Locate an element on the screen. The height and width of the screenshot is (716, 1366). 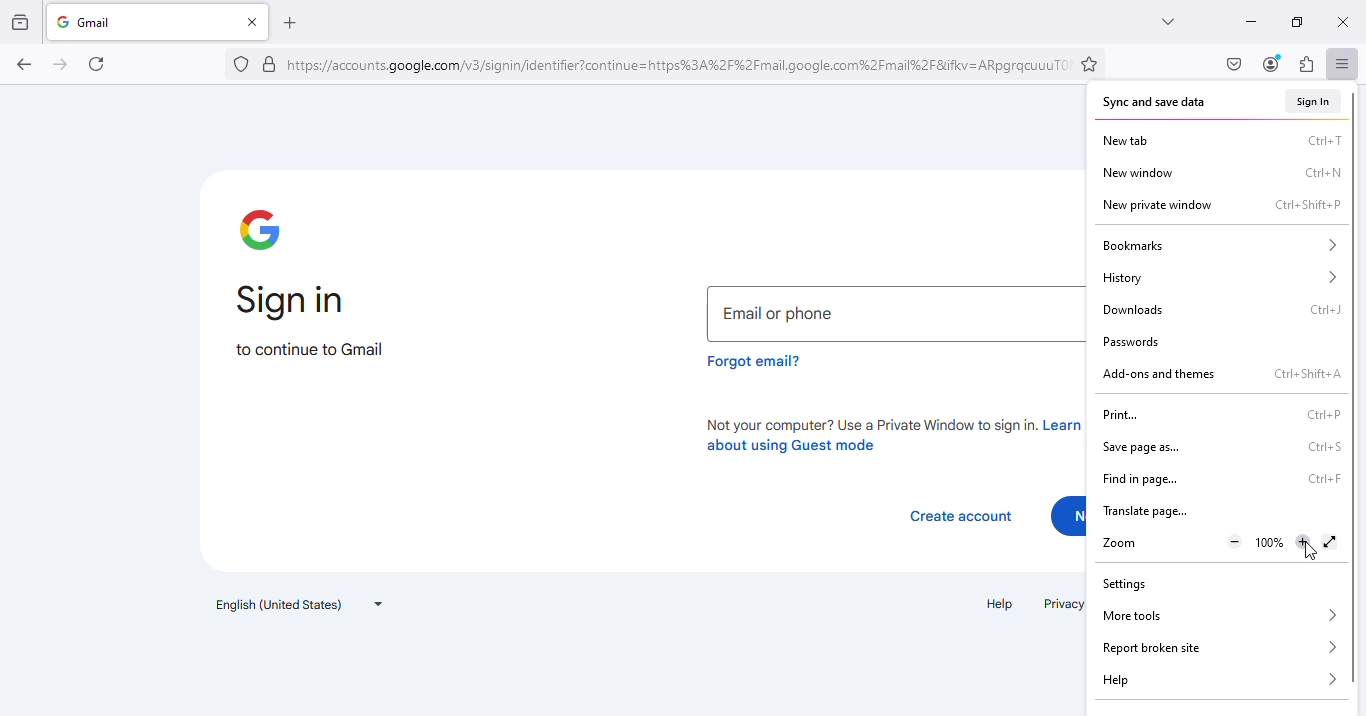
sign in is located at coordinates (1313, 102).